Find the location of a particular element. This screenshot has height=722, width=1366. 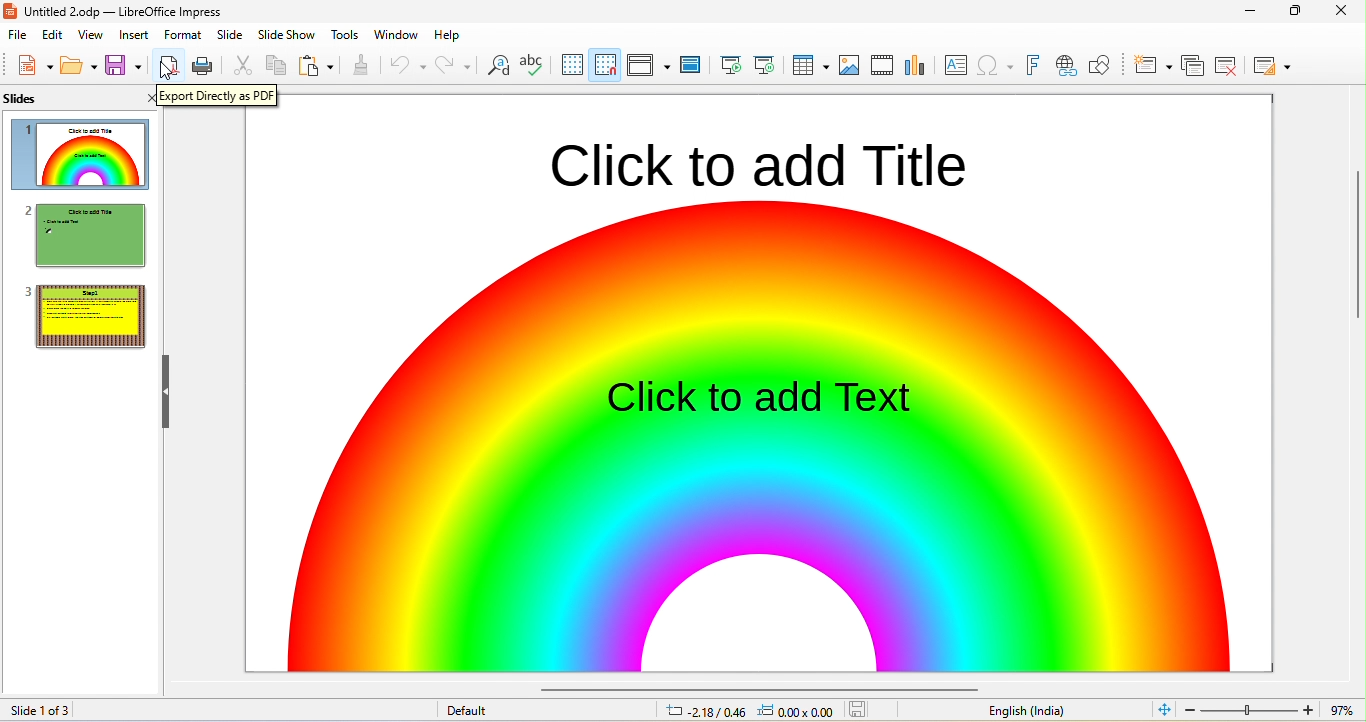

click to add title is located at coordinates (749, 161).